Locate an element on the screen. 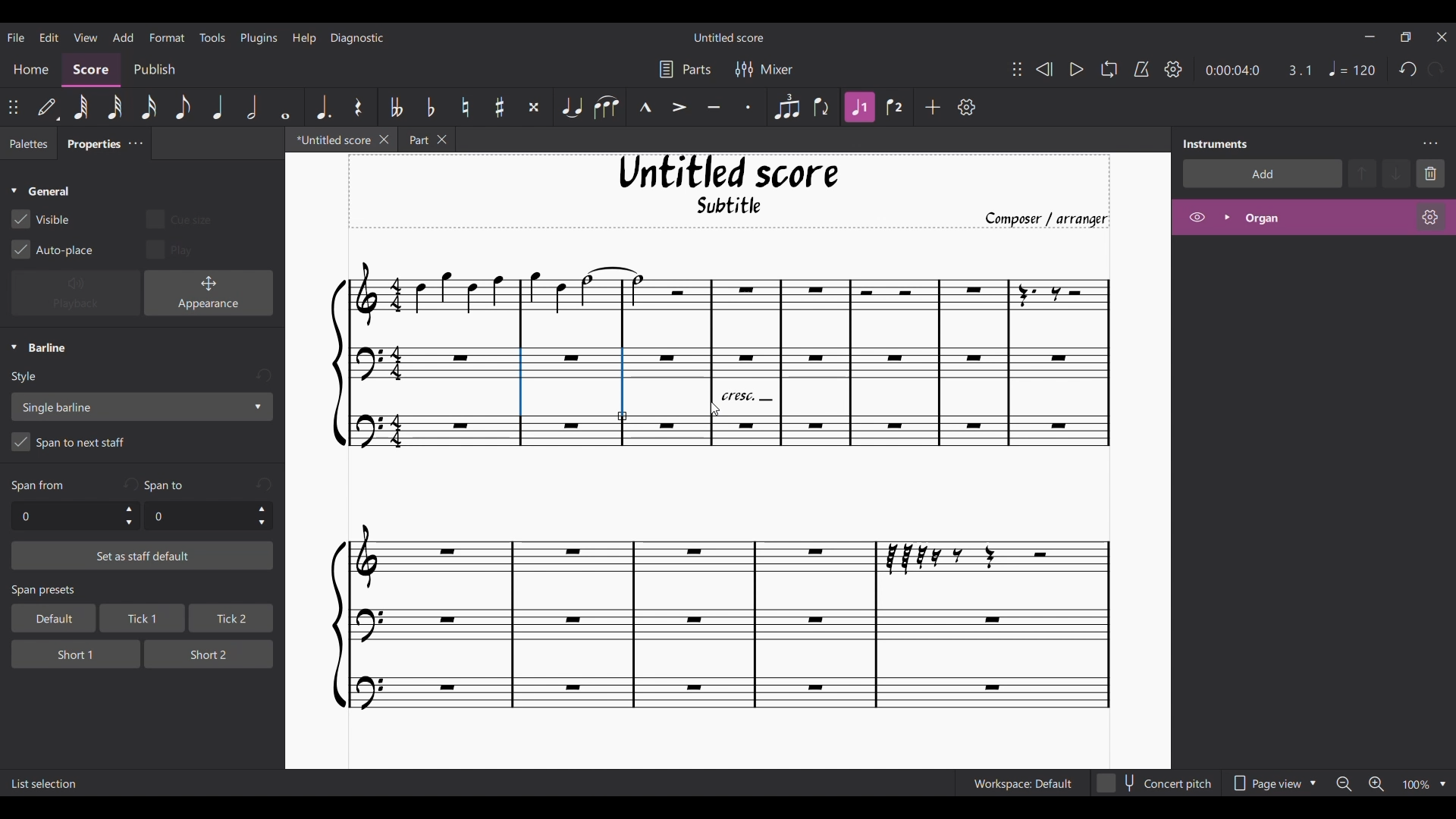  Increase/Decrease Span from is located at coordinates (130, 516).